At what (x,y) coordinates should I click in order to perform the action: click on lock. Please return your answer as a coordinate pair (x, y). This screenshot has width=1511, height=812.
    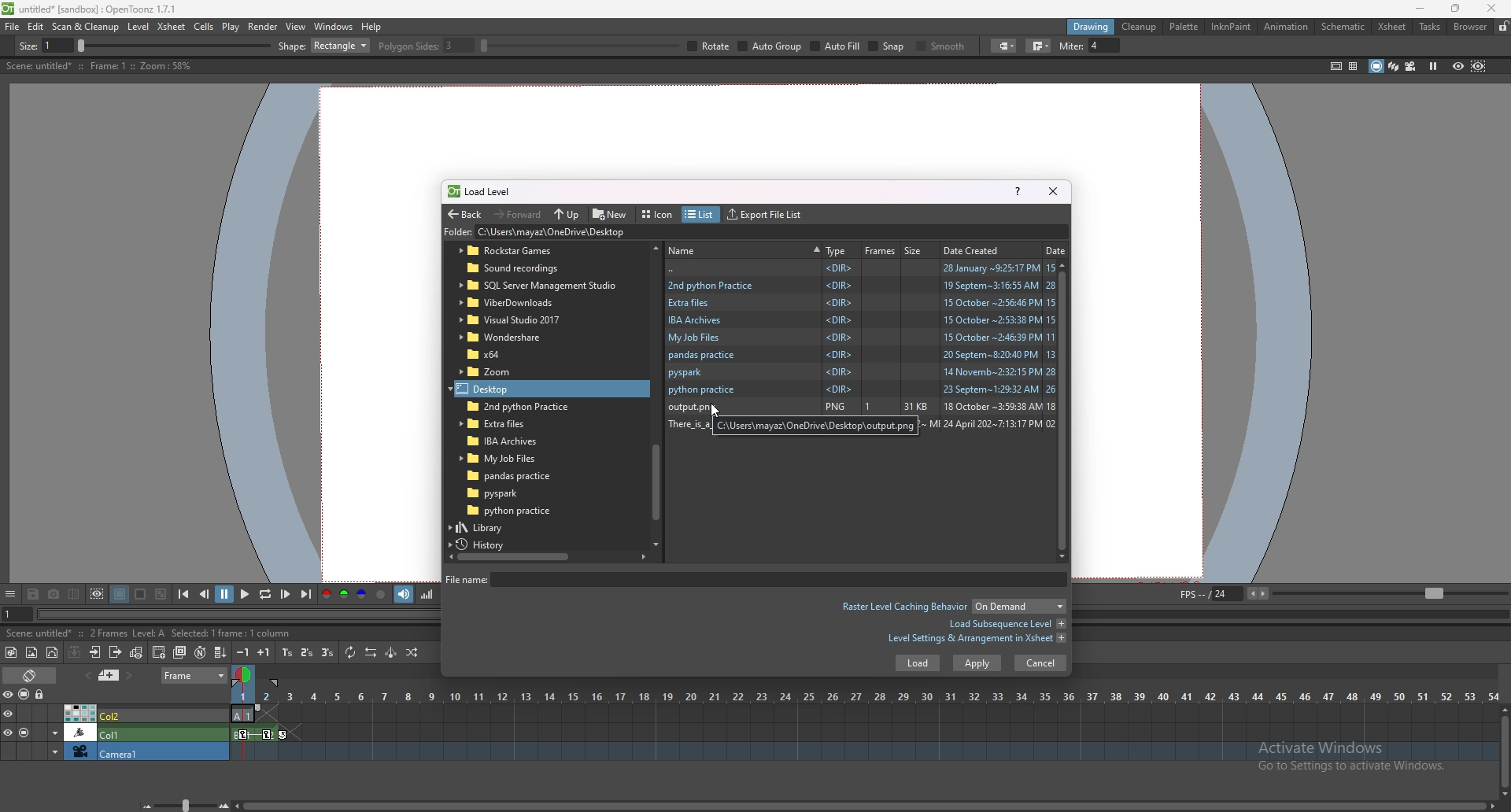
    Looking at the image, I should click on (1503, 26).